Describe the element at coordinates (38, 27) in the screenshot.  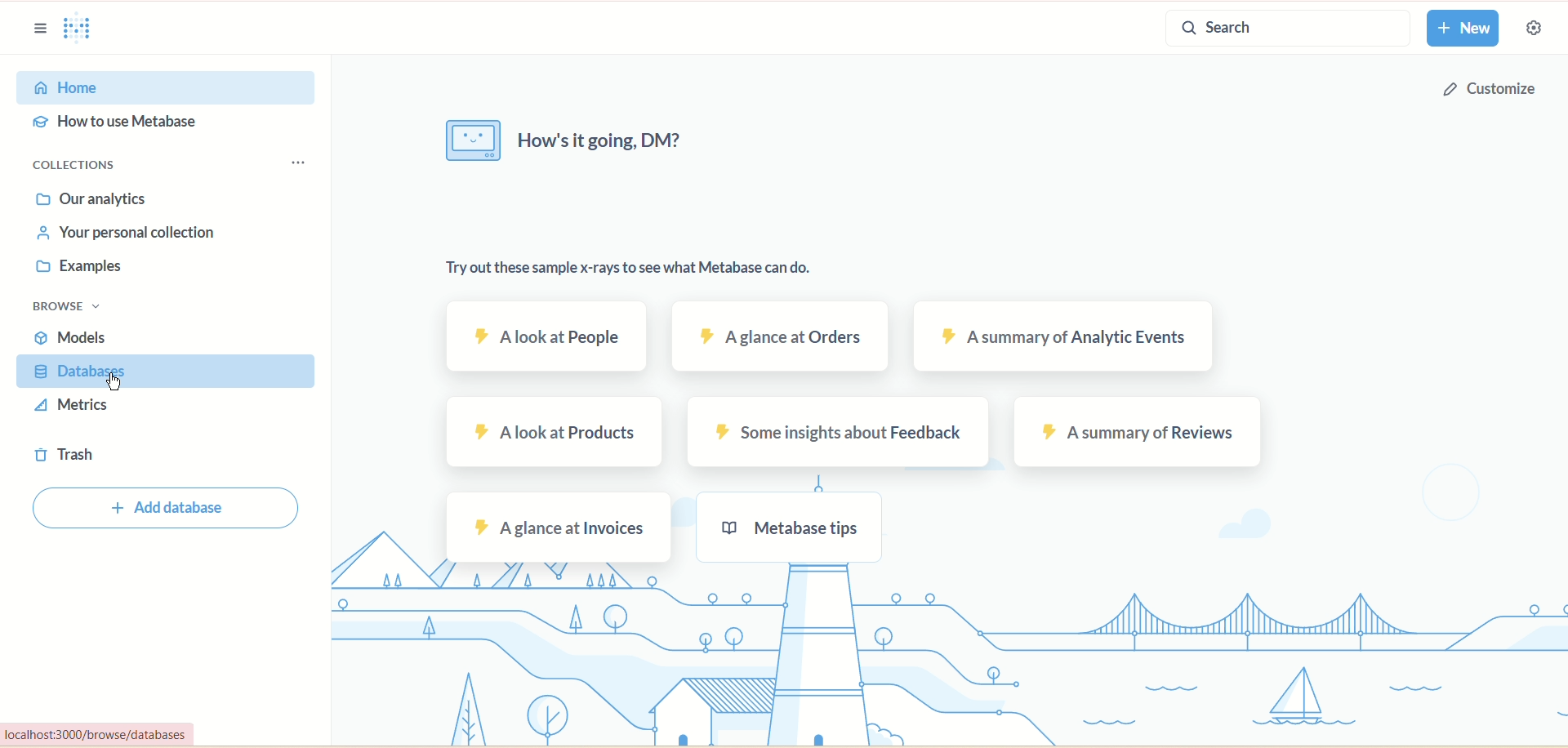
I see `sidebar` at that location.